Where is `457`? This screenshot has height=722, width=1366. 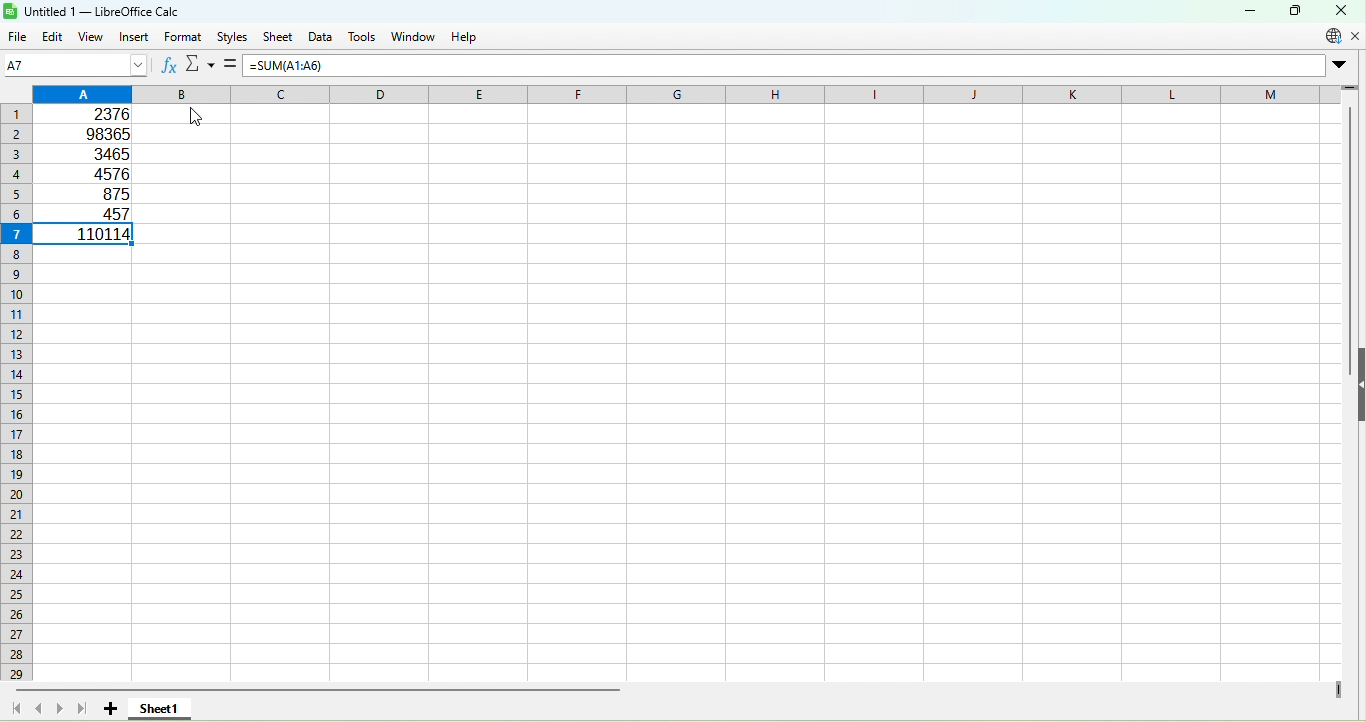 457 is located at coordinates (92, 213).